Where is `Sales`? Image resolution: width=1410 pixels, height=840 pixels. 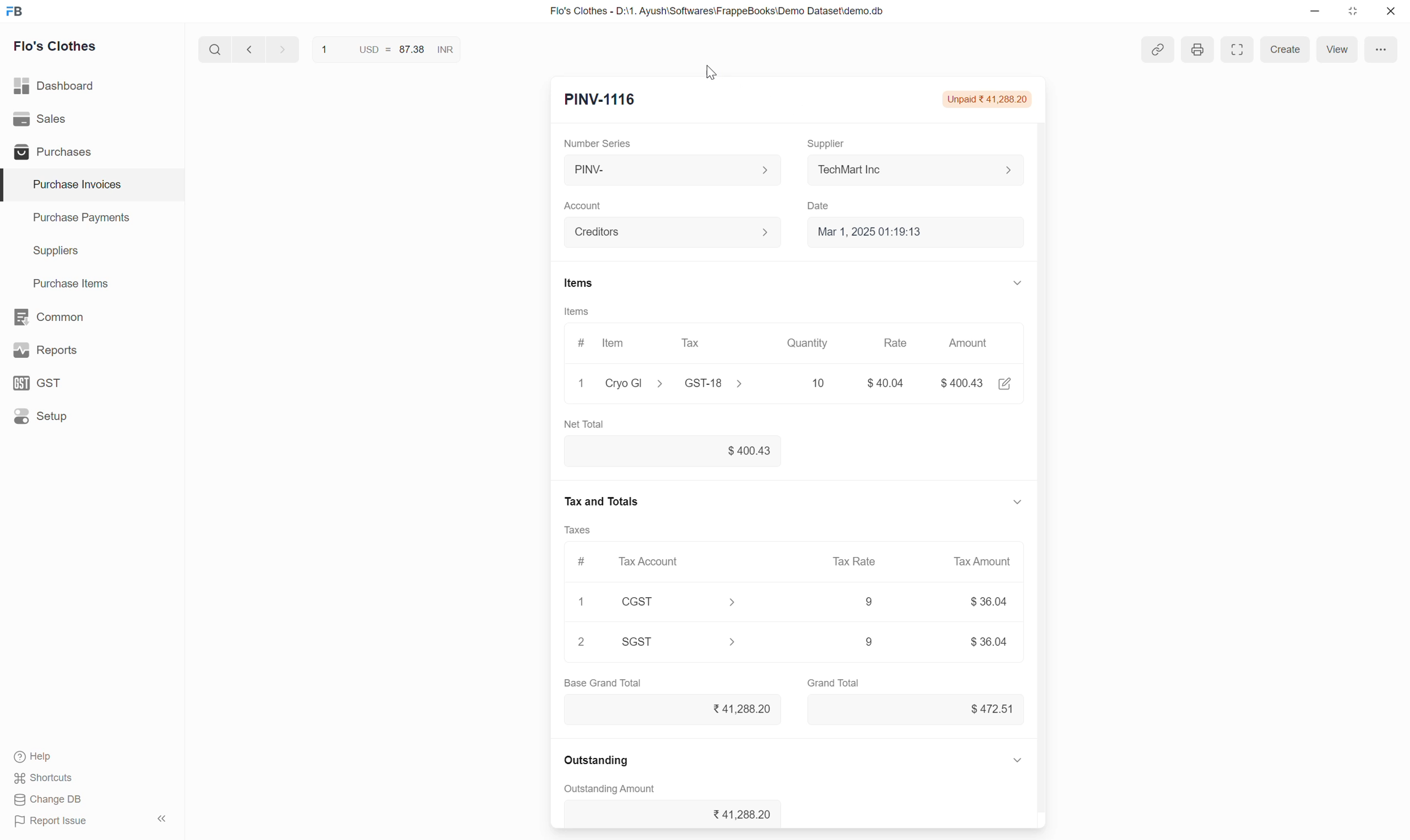 Sales is located at coordinates (42, 119).